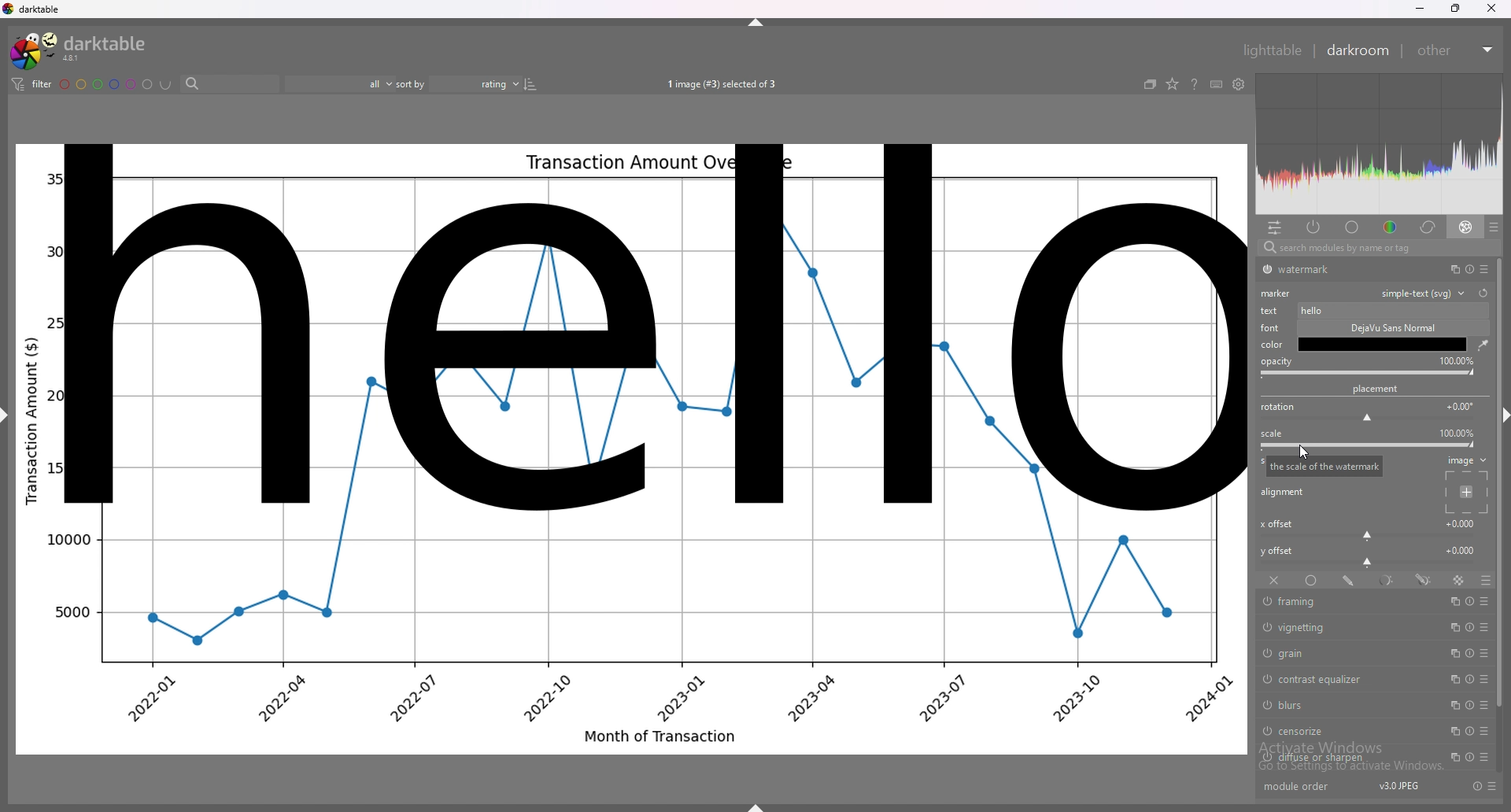 This screenshot has width=1511, height=812. I want to click on quick access panel, so click(1274, 227).